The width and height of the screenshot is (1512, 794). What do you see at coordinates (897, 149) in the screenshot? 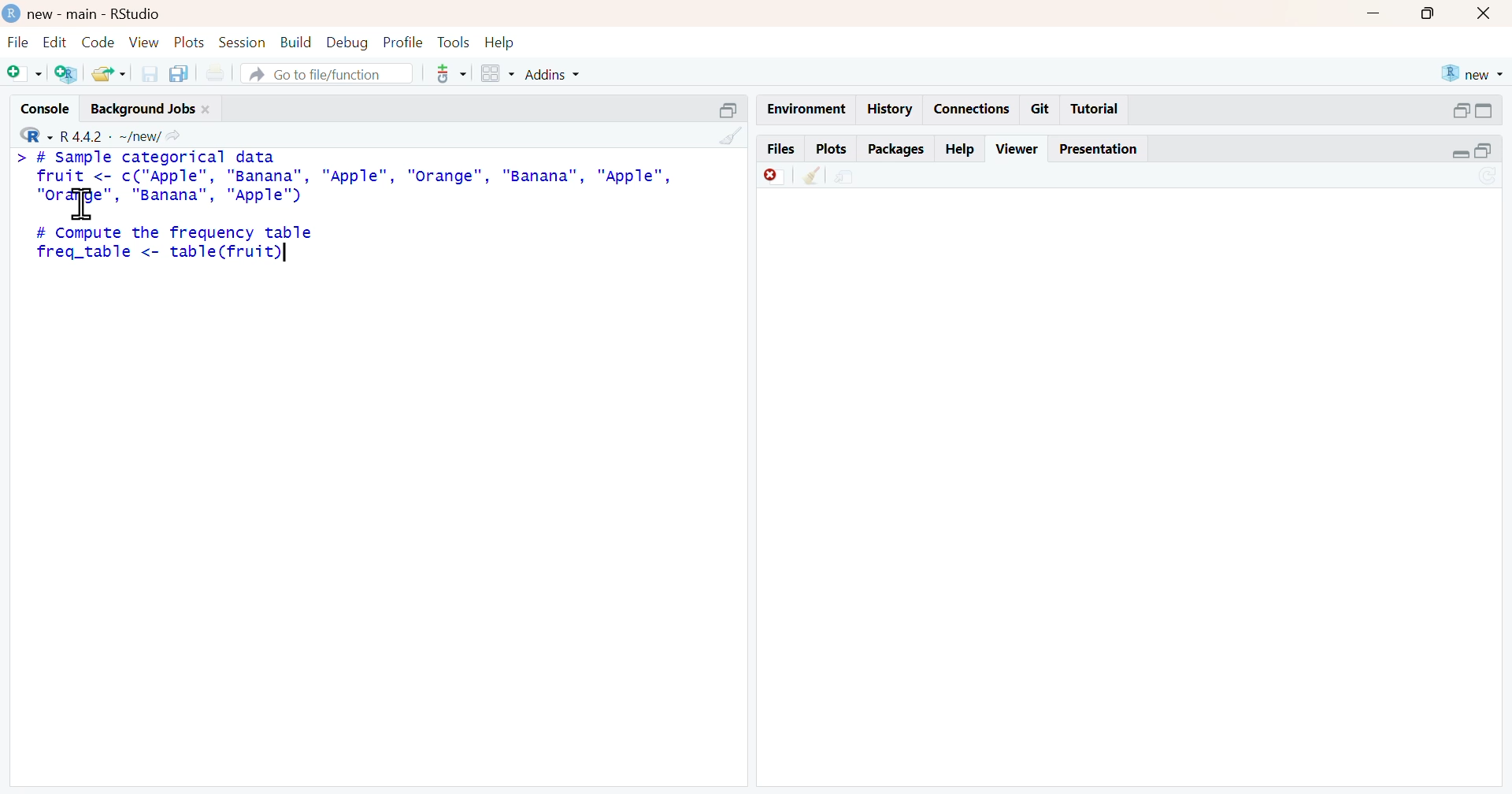
I see `packages` at bounding box center [897, 149].